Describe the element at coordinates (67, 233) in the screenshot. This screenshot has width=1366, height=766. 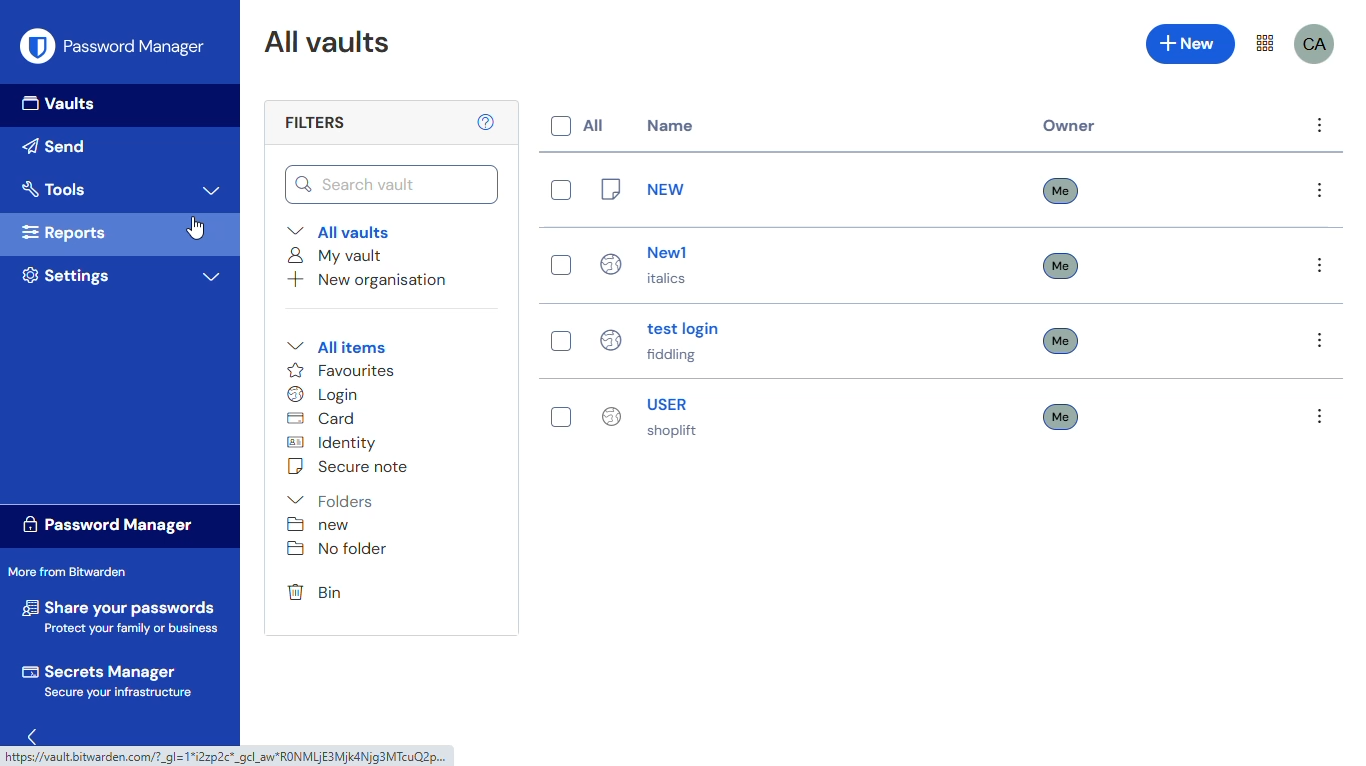
I see `reports` at that location.